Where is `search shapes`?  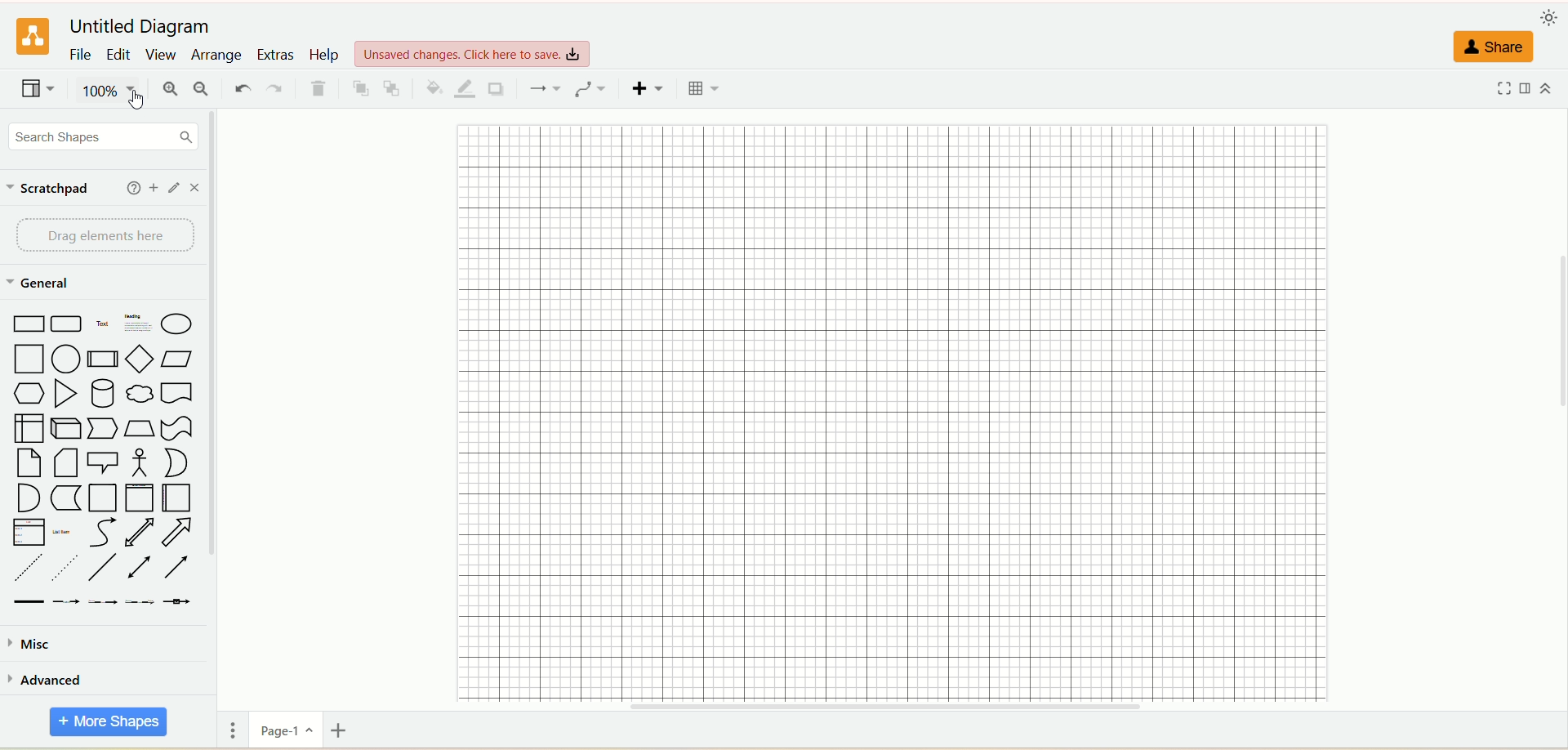
search shapes is located at coordinates (104, 136).